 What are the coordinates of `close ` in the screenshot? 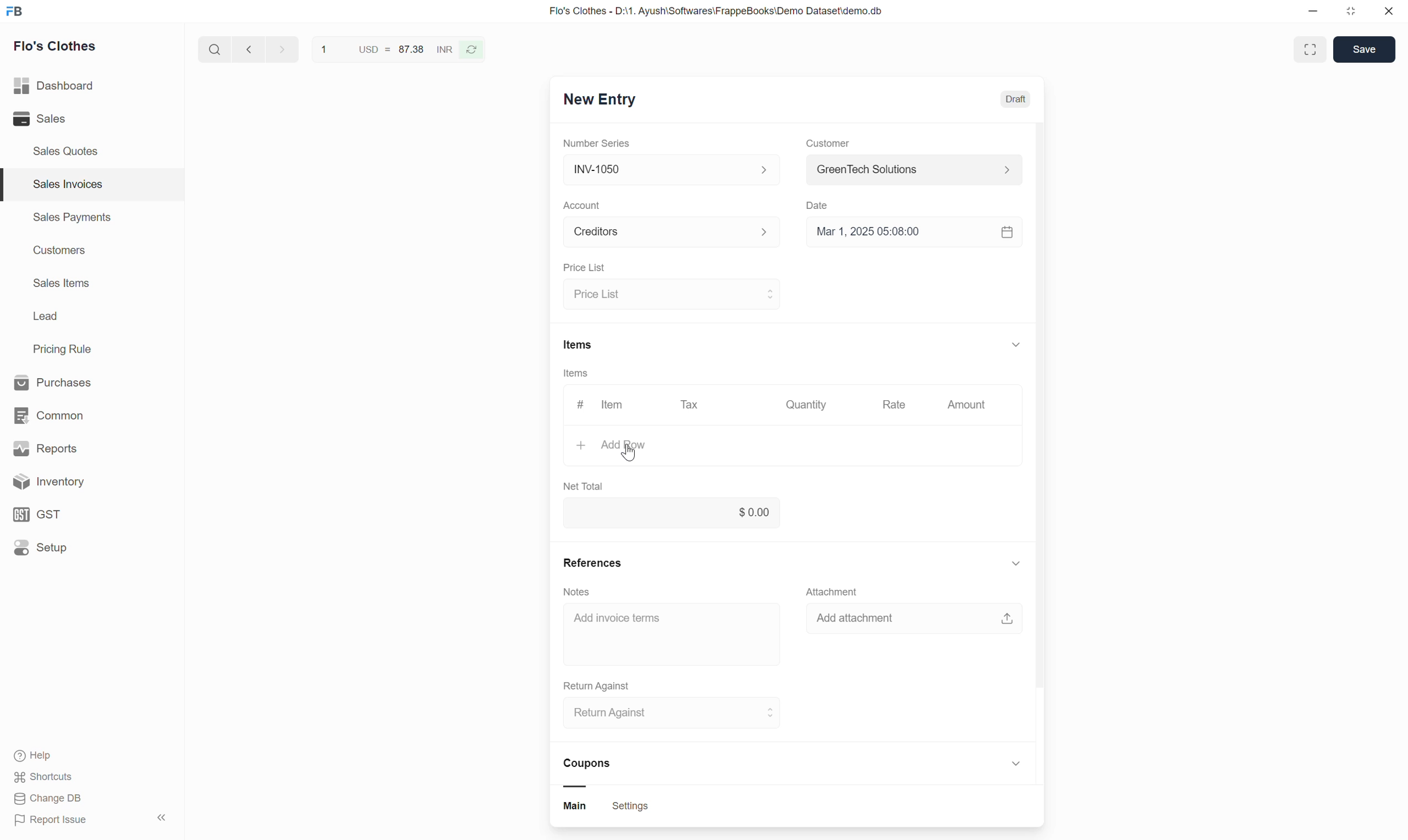 It's located at (1390, 12).